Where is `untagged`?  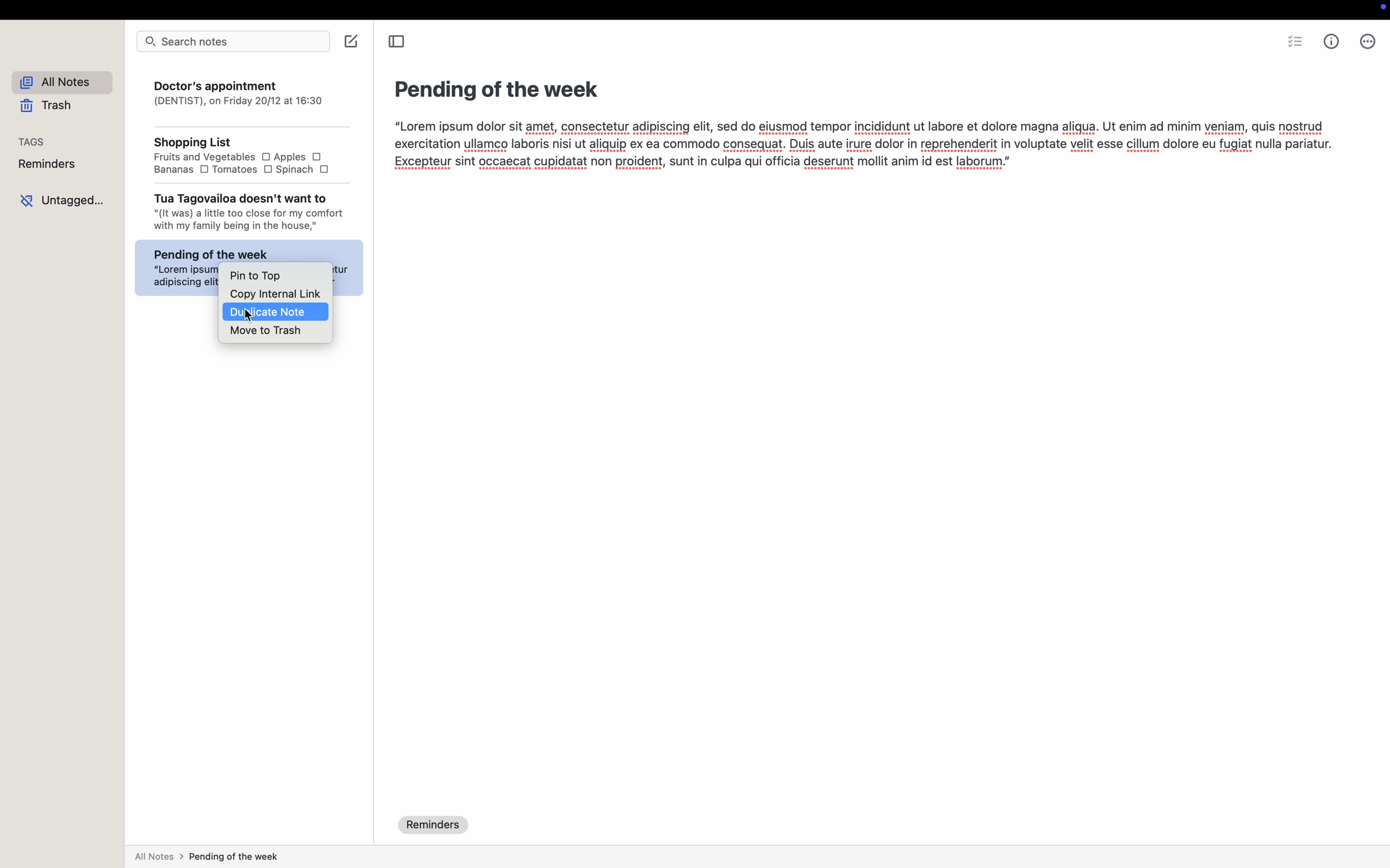 untagged is located at coordinates (60, 198).